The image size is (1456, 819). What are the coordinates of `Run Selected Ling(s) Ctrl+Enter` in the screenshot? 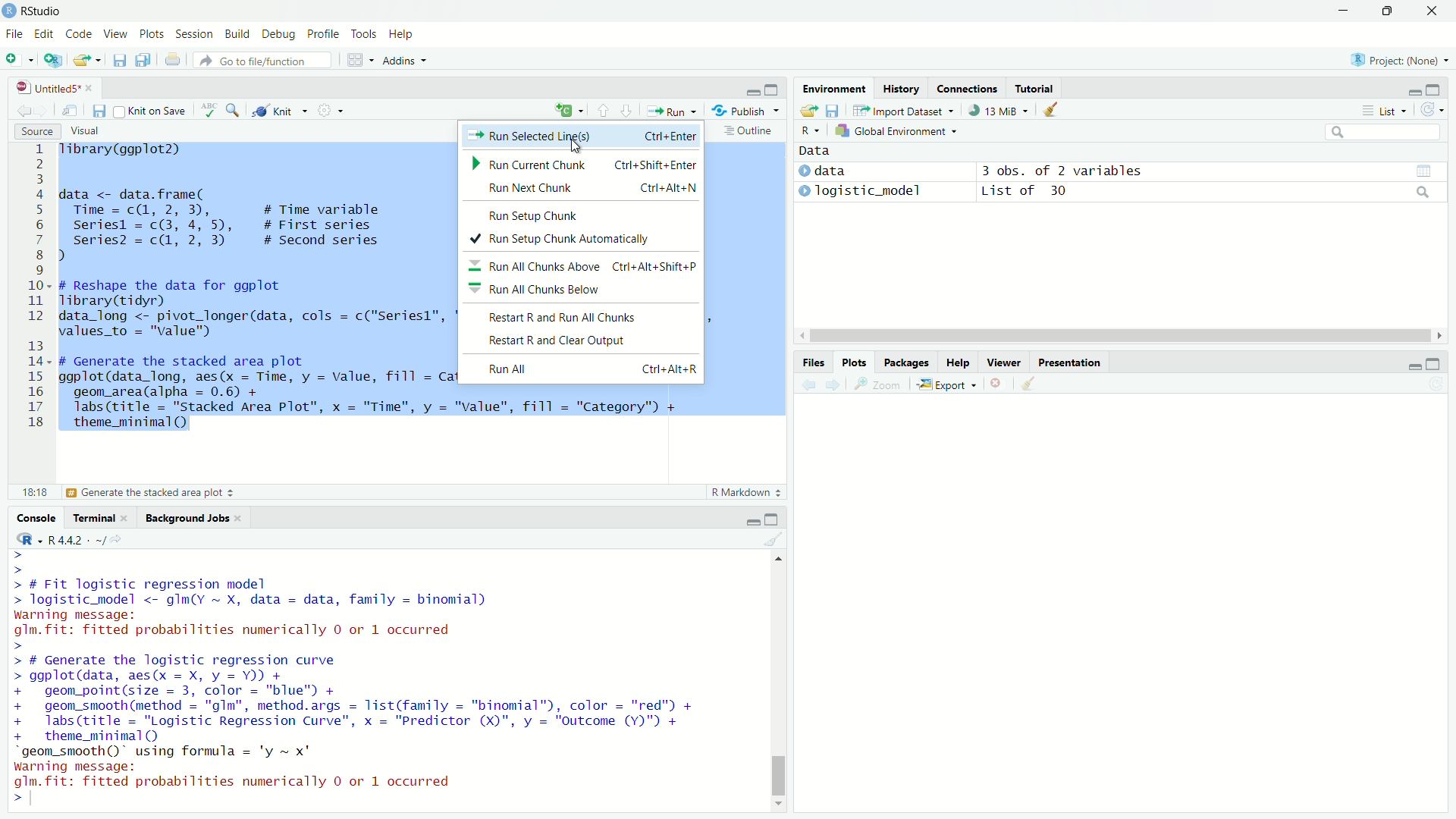 It's located at (594, 136).